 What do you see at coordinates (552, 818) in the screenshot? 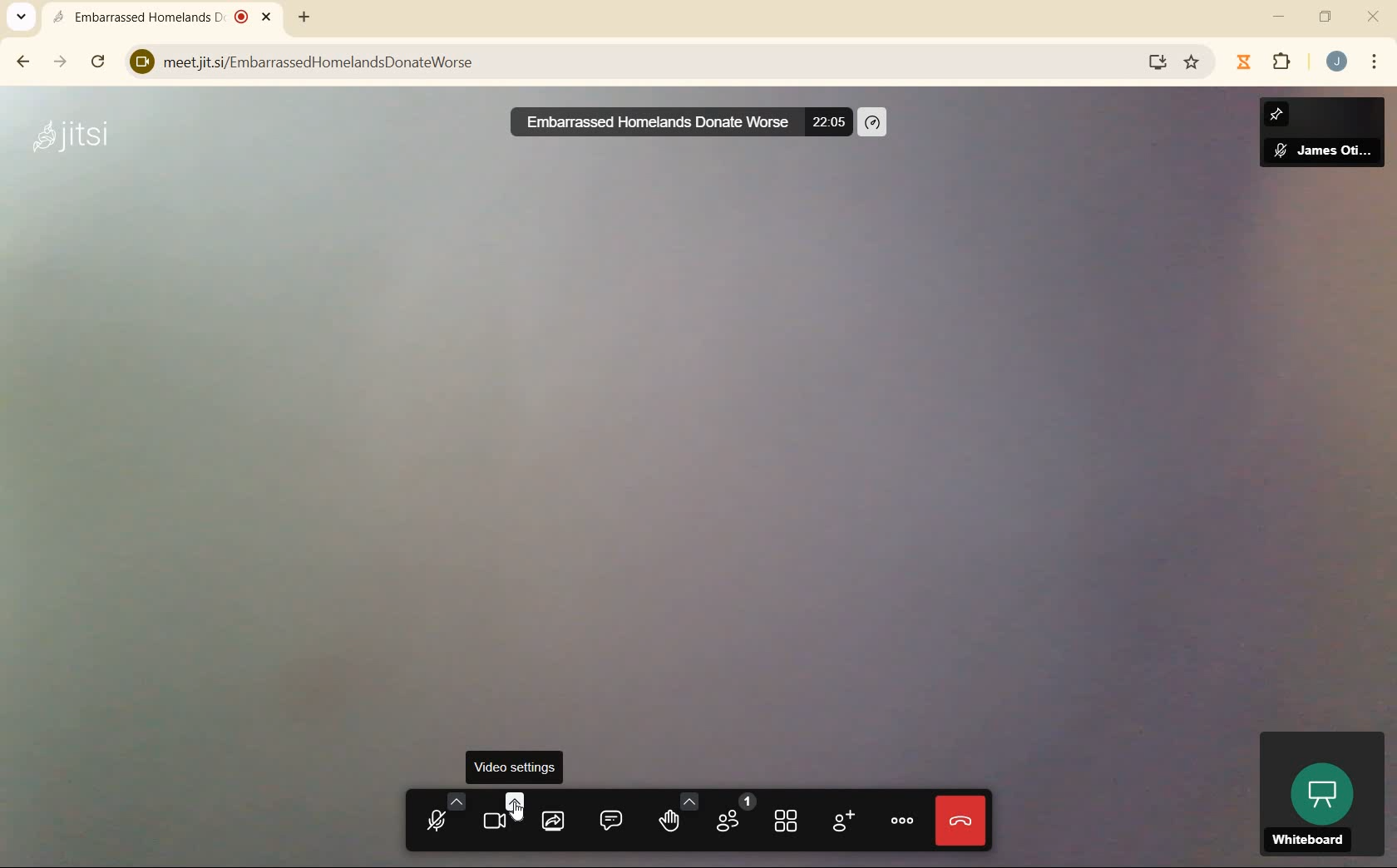
I see `start screen sharing` at bounding box center [552, 818].